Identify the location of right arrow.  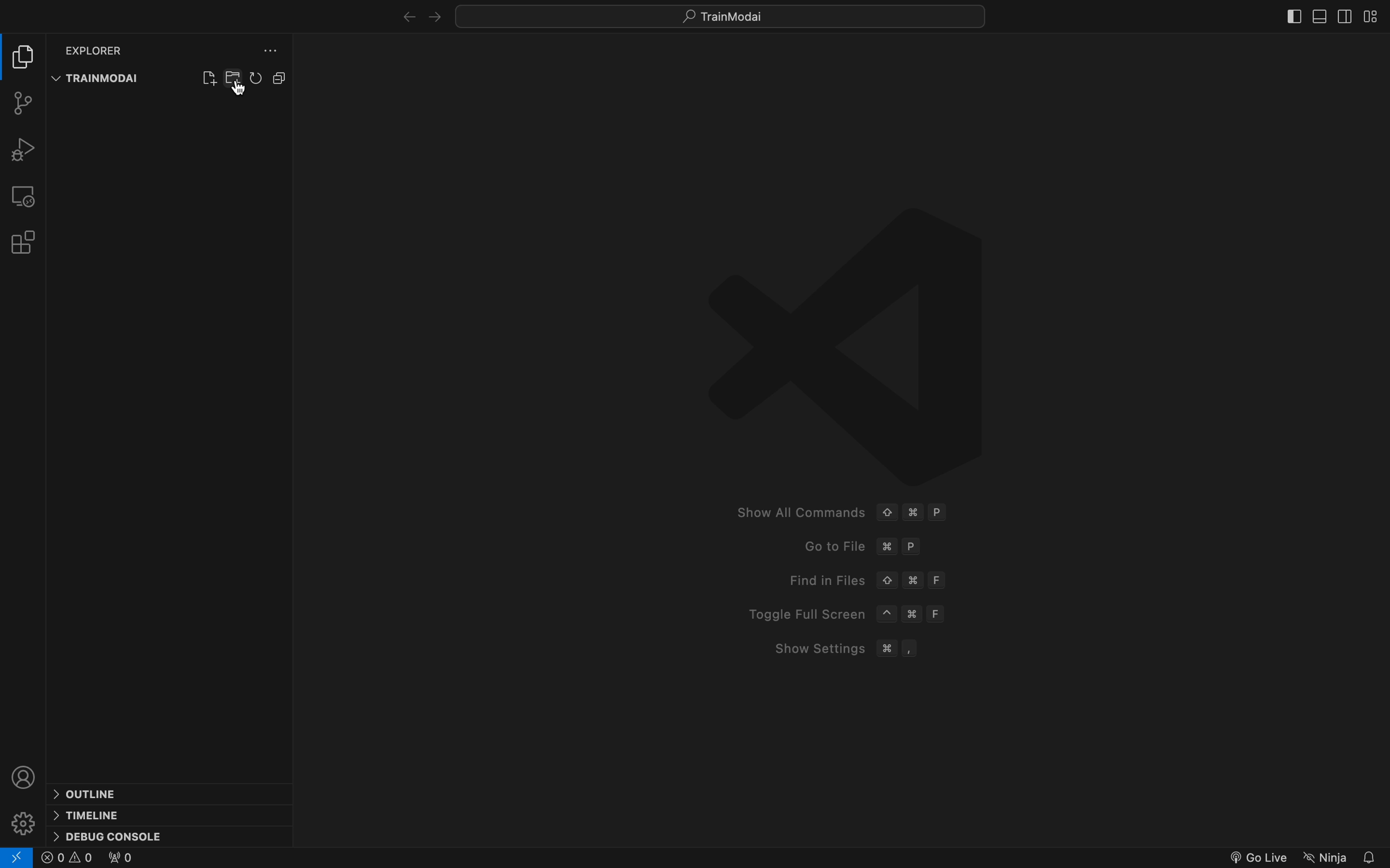
(405, 15).